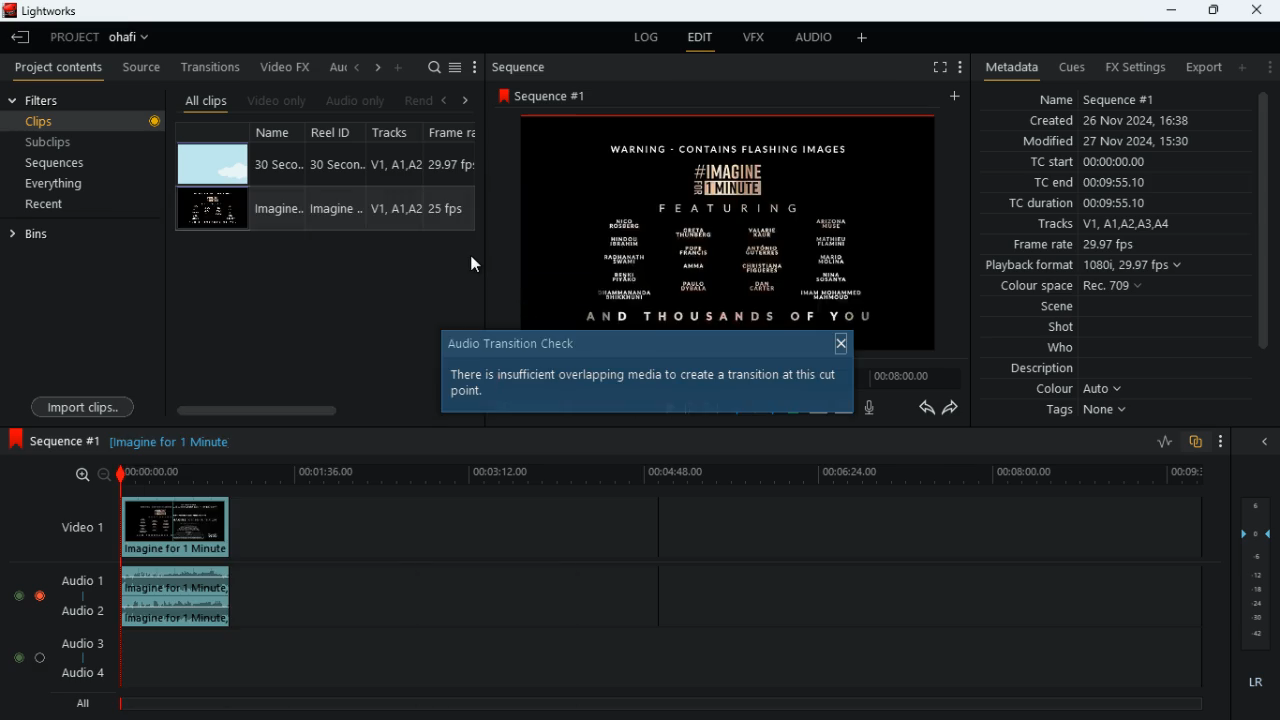  I want to click on colour space, so click(1066, 287).